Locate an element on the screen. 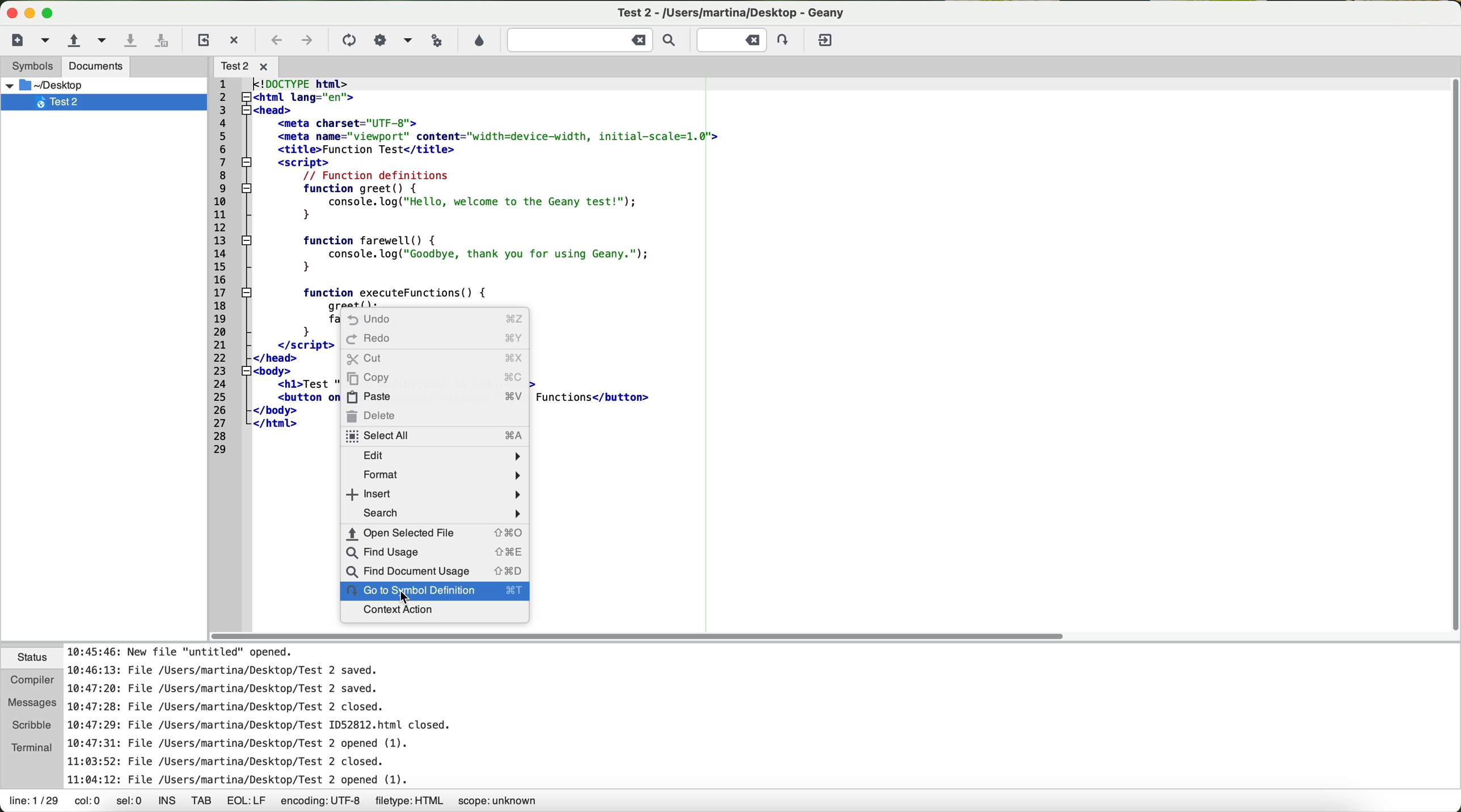 This screenshot has height=812, width=1461. compiler is located at coordinates (30, 682).